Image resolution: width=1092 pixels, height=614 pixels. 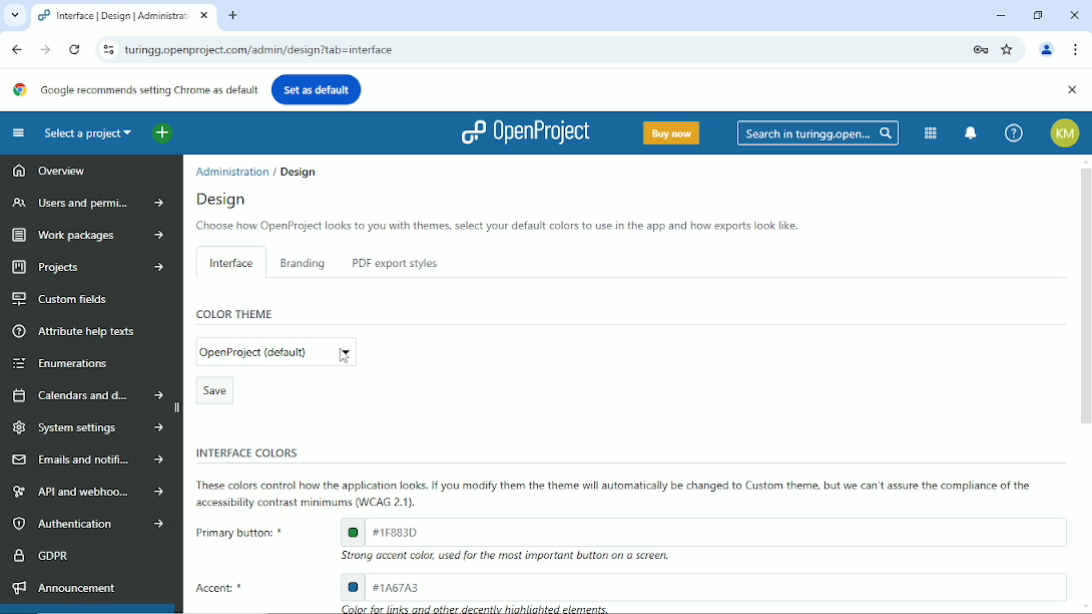 What do you see at coordinates (1076, 50) in the screenshot?
I see `Customize and control google chrome` at bounding box center [1076, 50].